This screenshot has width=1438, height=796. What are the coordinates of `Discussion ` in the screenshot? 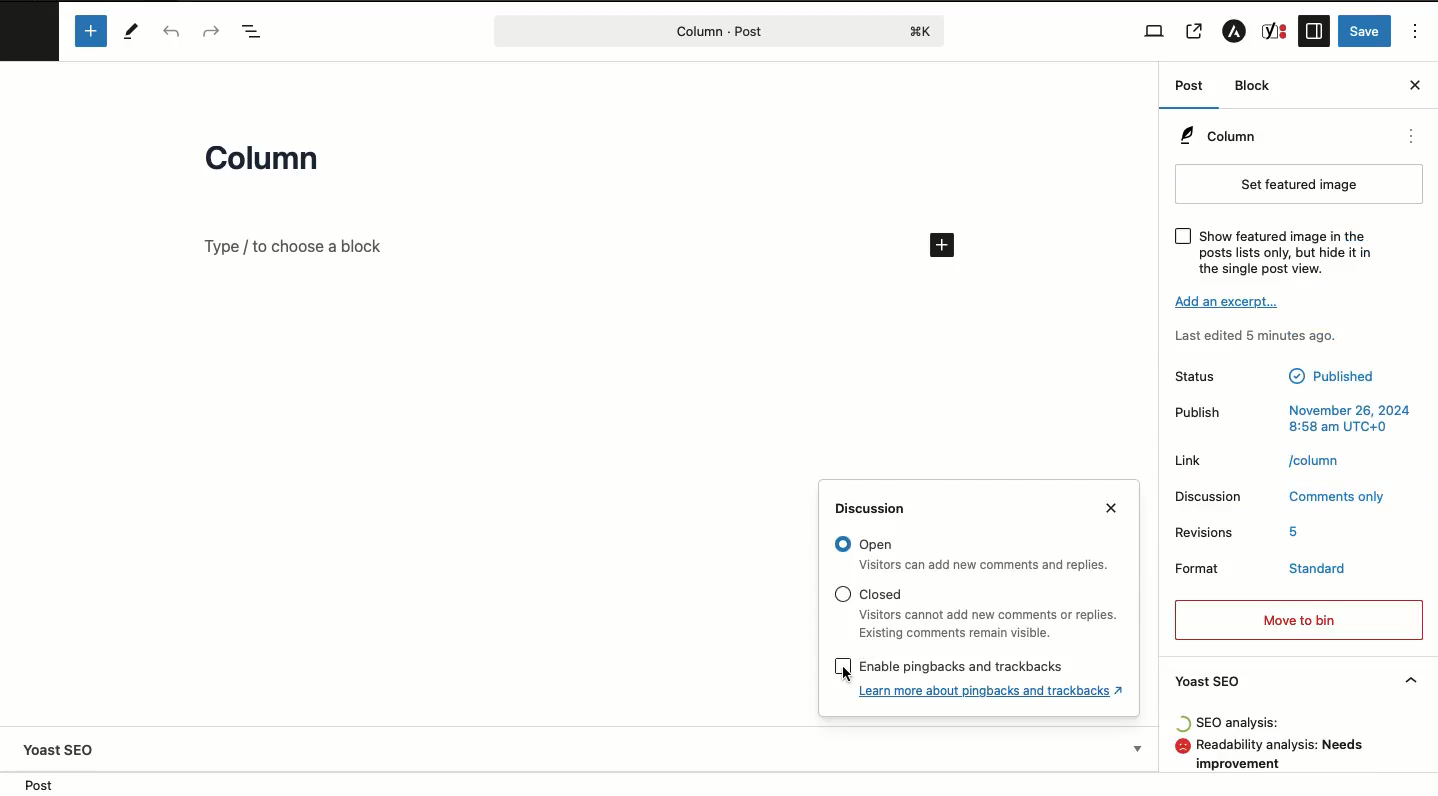 It's located at (1210, 496).